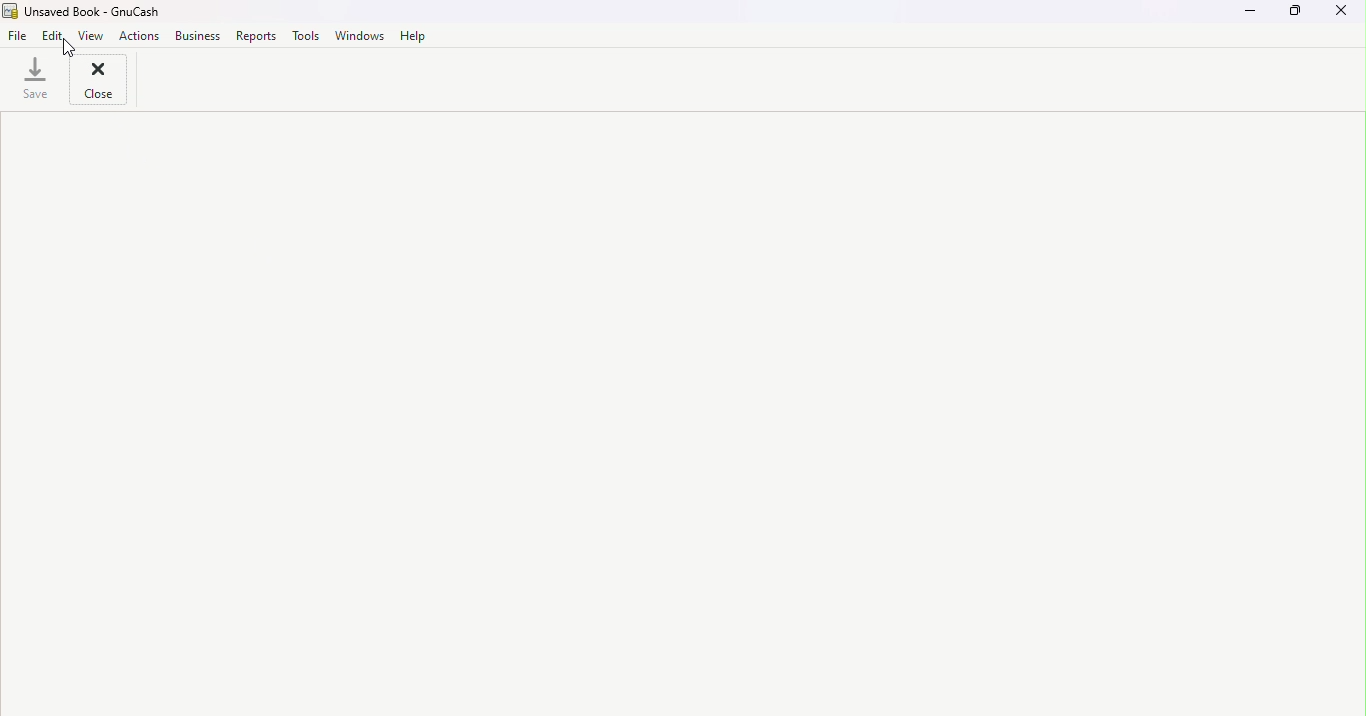 This screenshot has height=716, width=1366. I want to click on Windows, so click(361, 34).